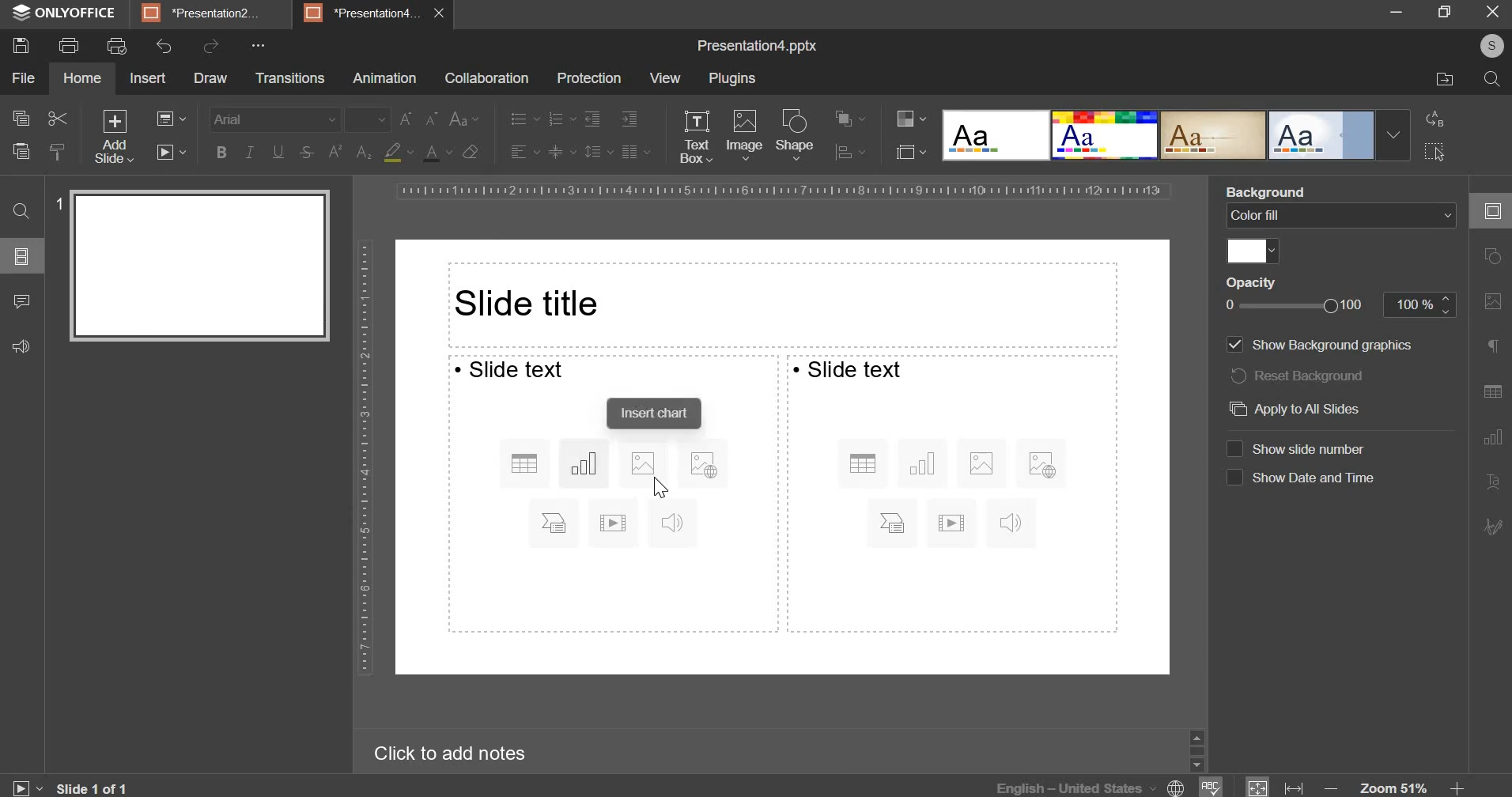  I want to click on shape, so click(796, 134).